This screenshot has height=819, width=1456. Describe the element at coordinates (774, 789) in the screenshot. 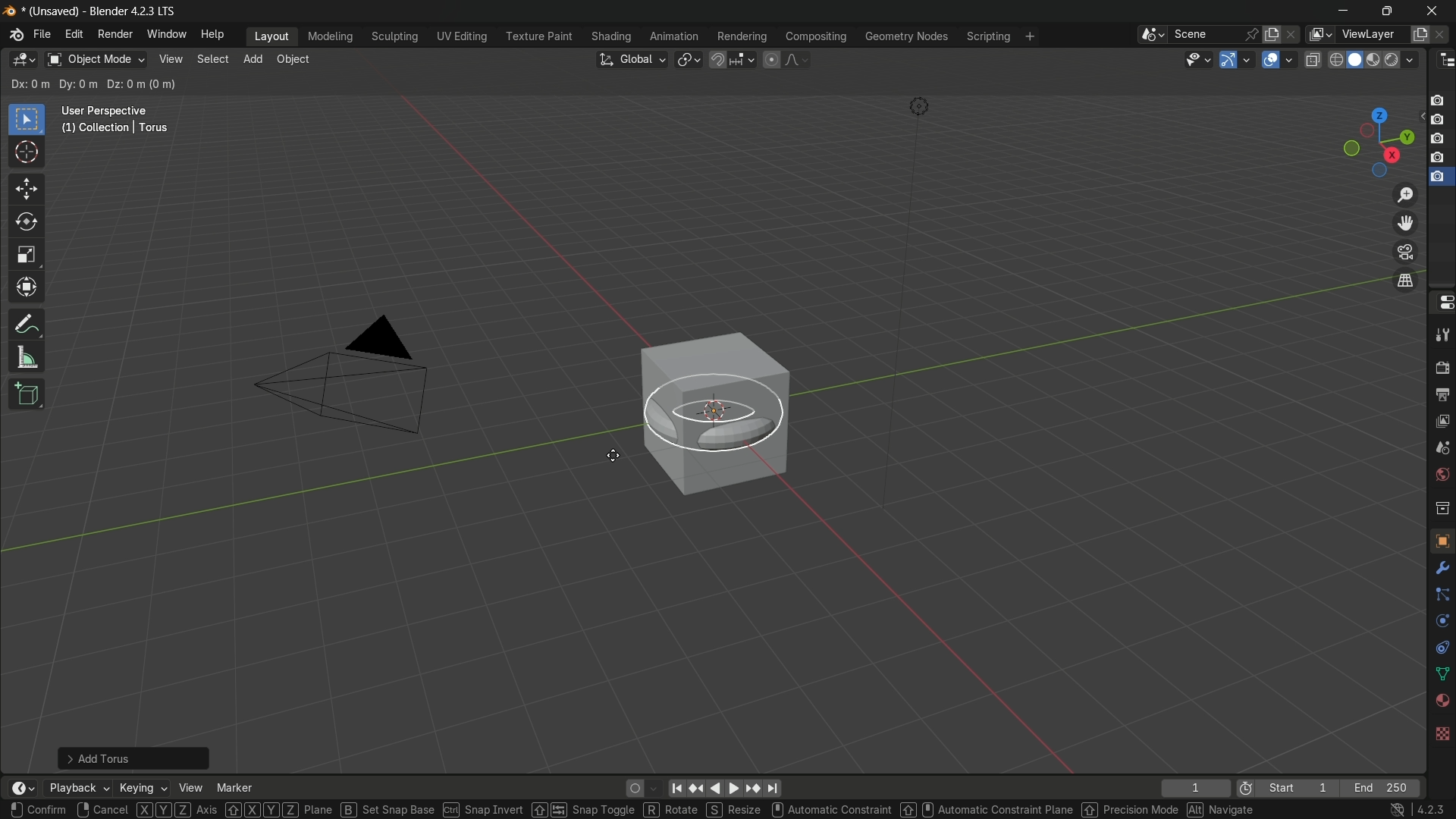

I see `jump to endpoint` at that location.